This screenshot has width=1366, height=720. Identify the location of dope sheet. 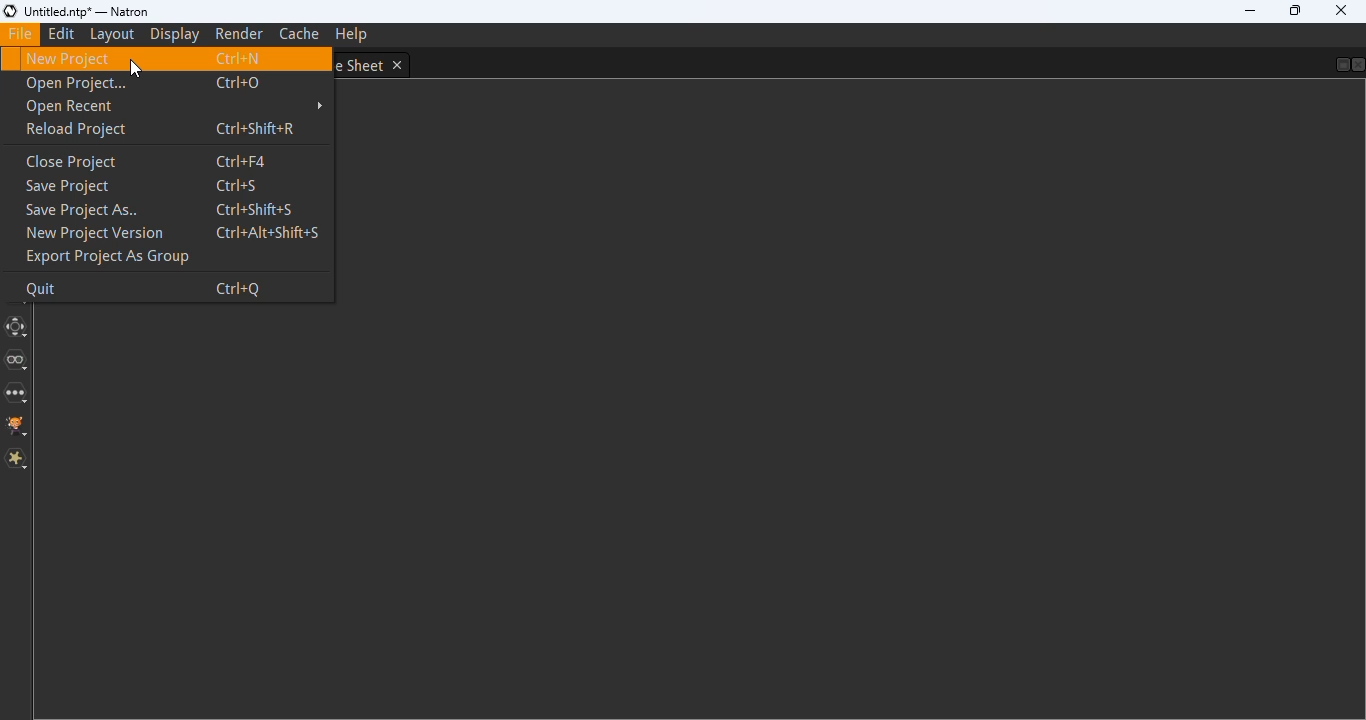
(361, 66).